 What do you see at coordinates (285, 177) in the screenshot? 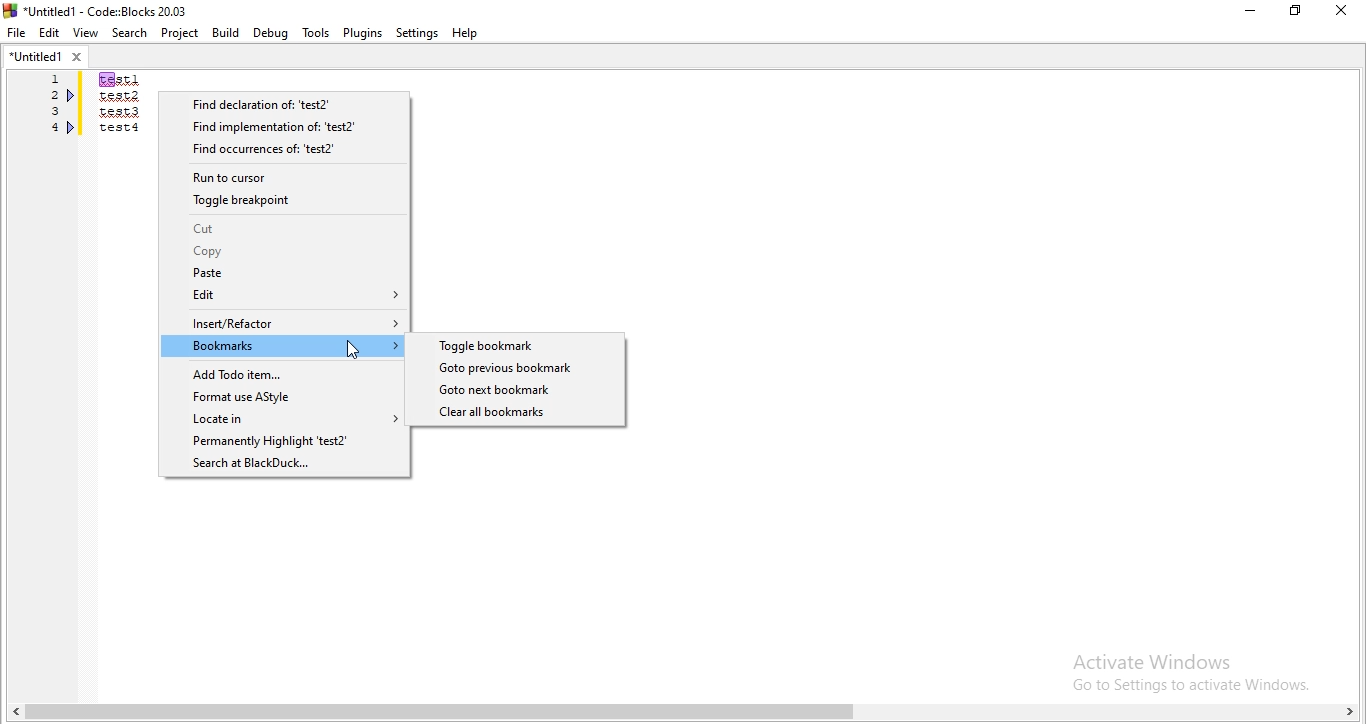
I see `Run to cursor` at bounding box center [285, 177].